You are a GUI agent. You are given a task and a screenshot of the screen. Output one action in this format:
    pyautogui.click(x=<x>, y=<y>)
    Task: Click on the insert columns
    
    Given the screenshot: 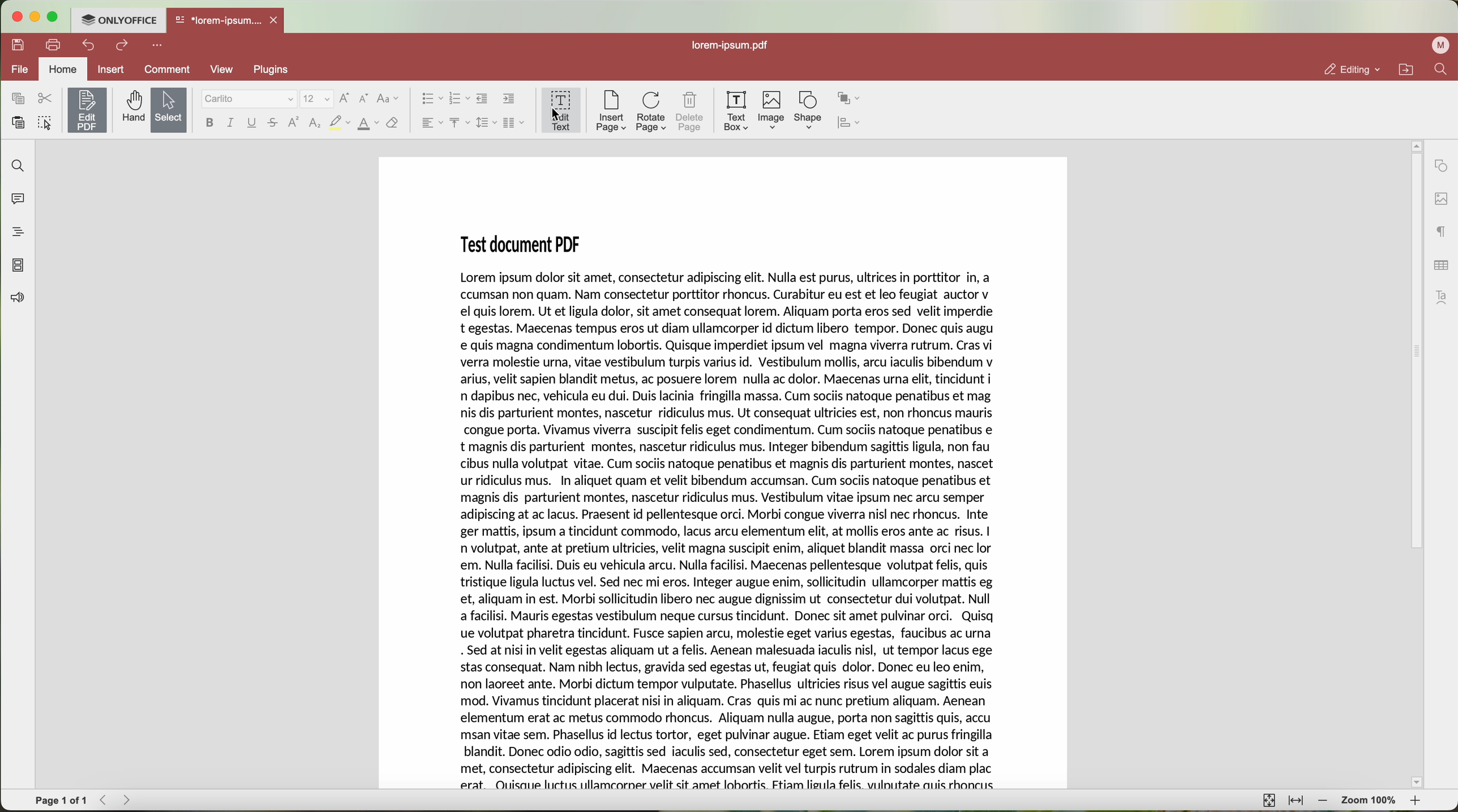 What is the action you would take?
    pyautogui.click(x=513, y=123)
    